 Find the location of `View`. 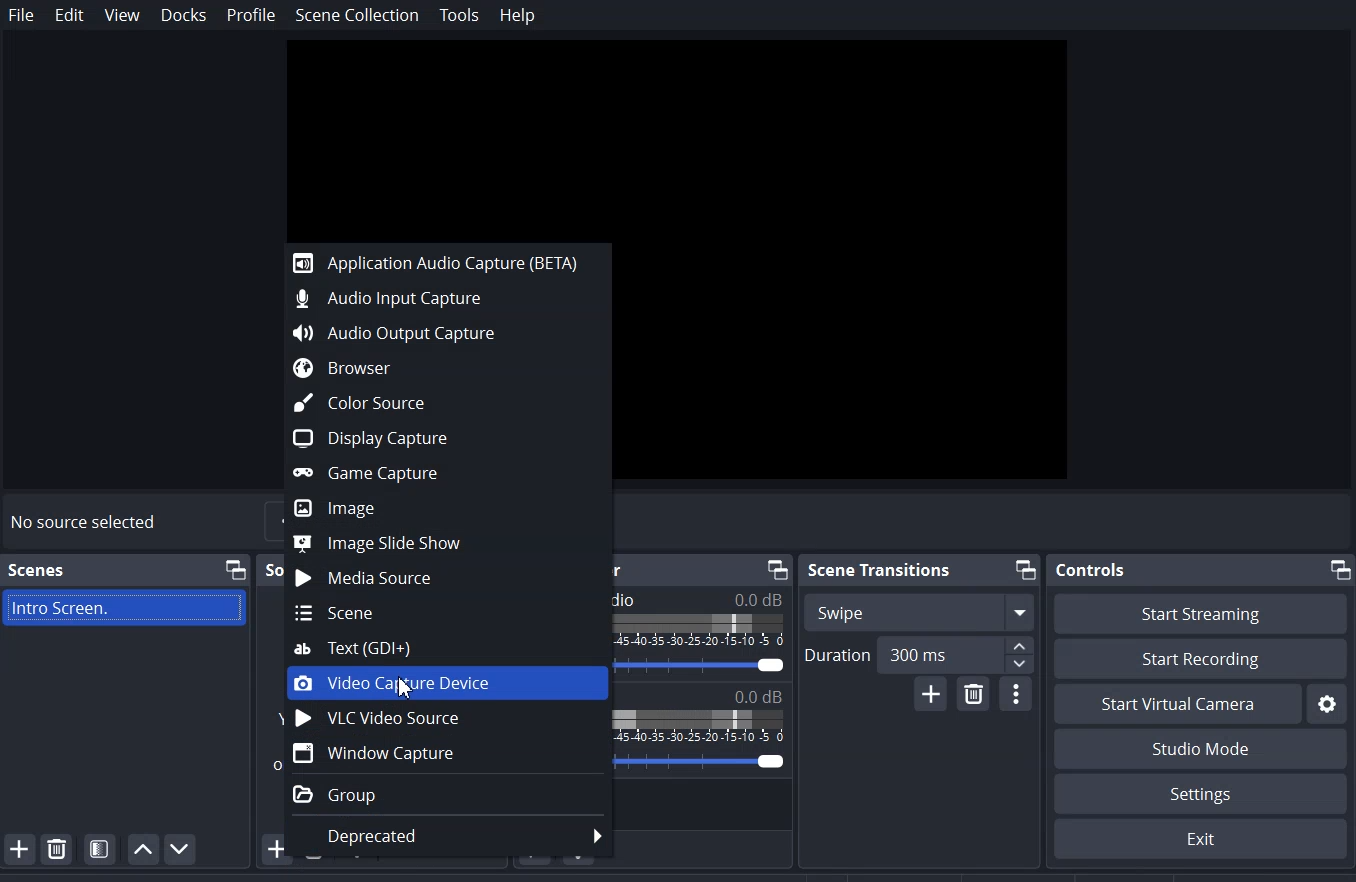

View is located at coordinates (122, 15).